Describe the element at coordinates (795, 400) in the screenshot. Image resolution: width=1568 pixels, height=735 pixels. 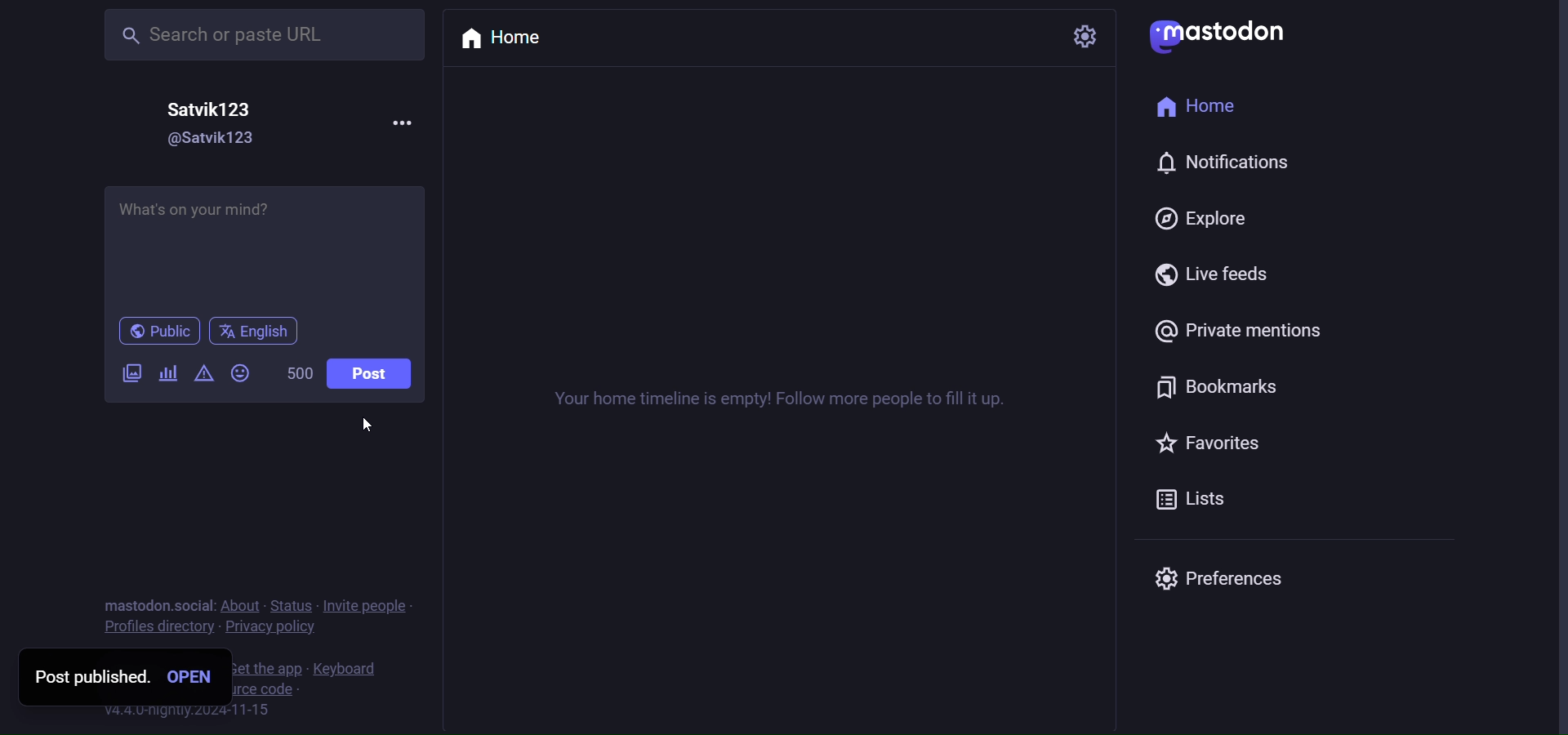
I see `instruction` at that location.